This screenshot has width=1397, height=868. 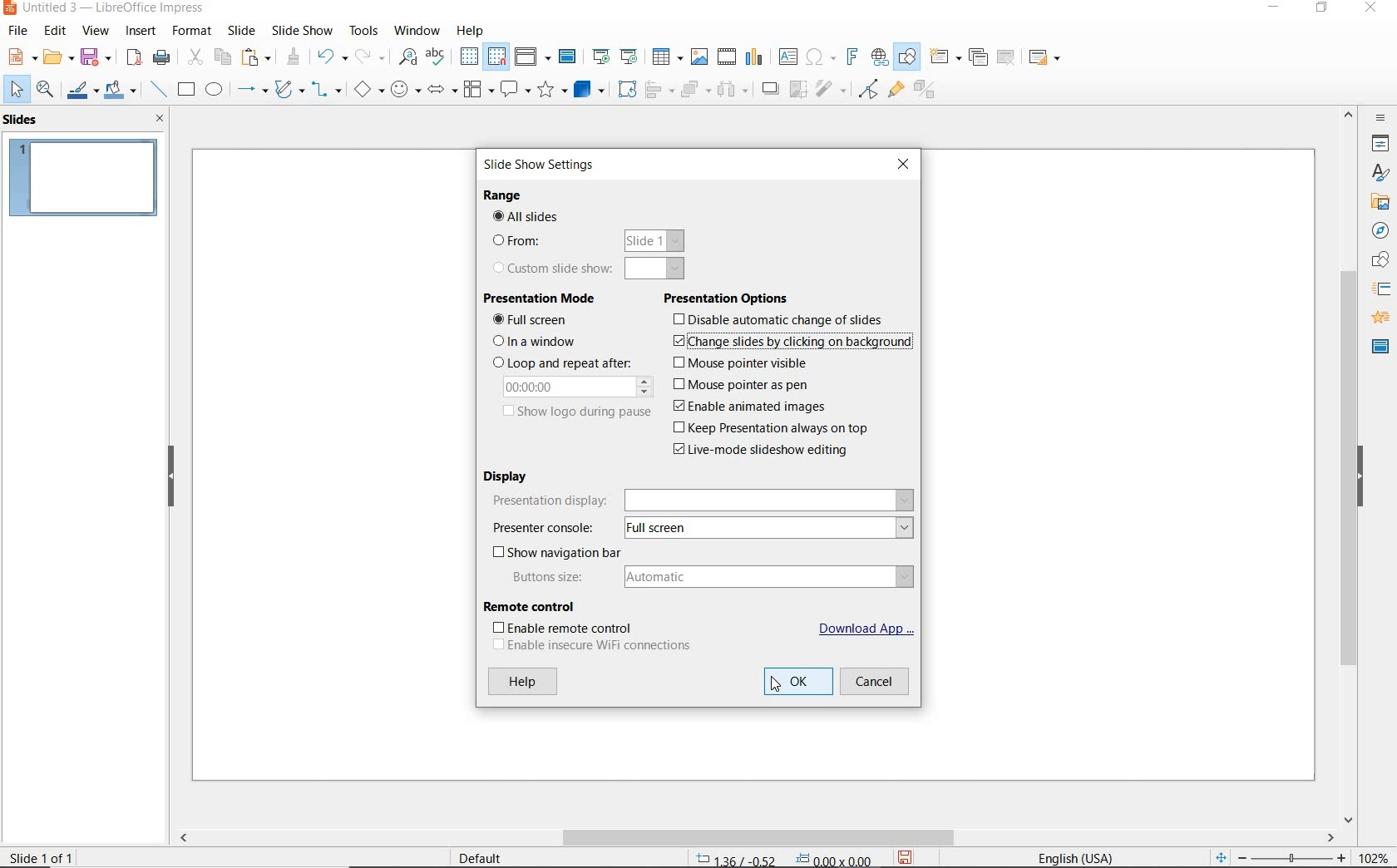 What do you see at coordinates (781, 319) in the screenshot?
I see `disable automatic change of slides` at bounding box center [781, 319].